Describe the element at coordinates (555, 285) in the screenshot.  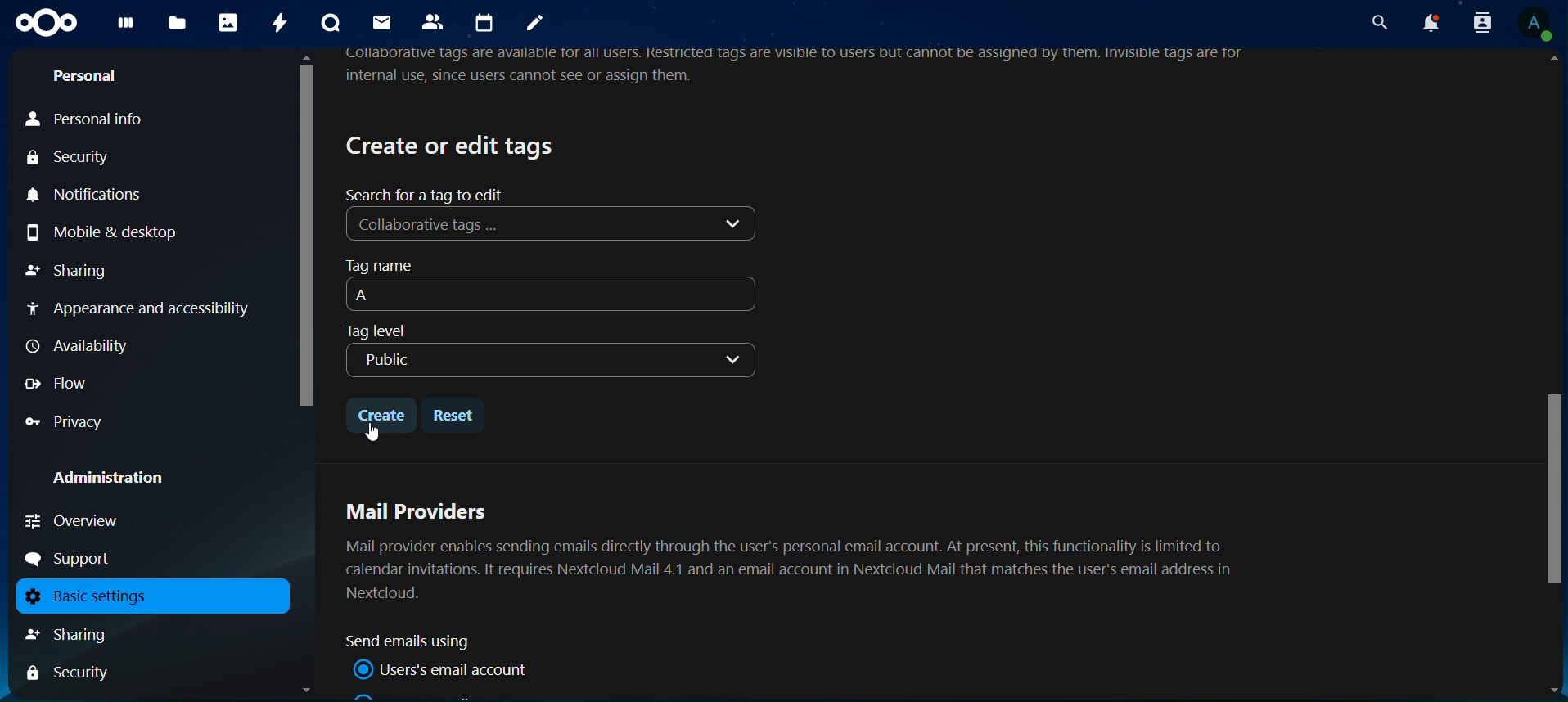
I see `tag name A` at that location.